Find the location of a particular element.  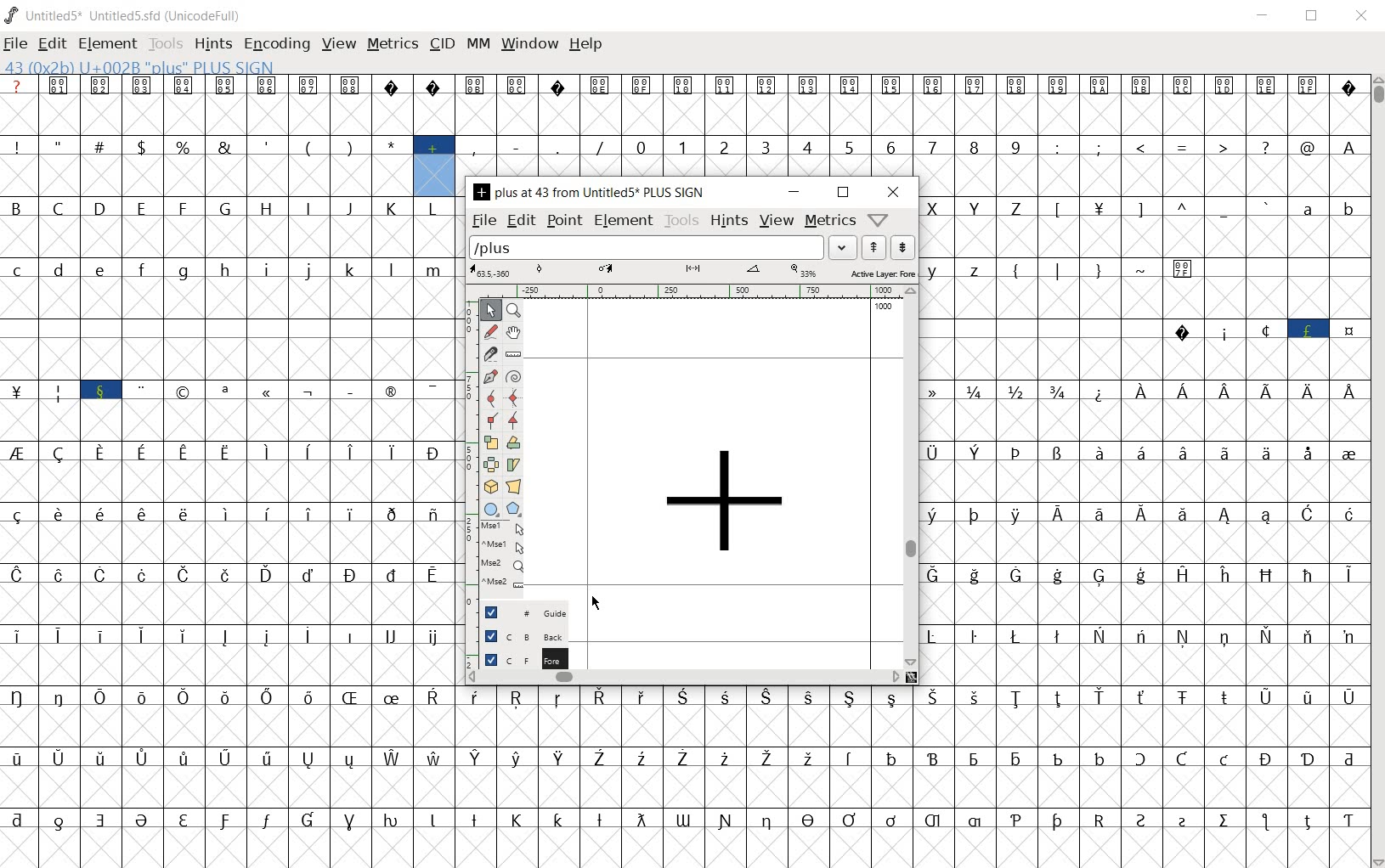

 is located at coordinates (960, 289).